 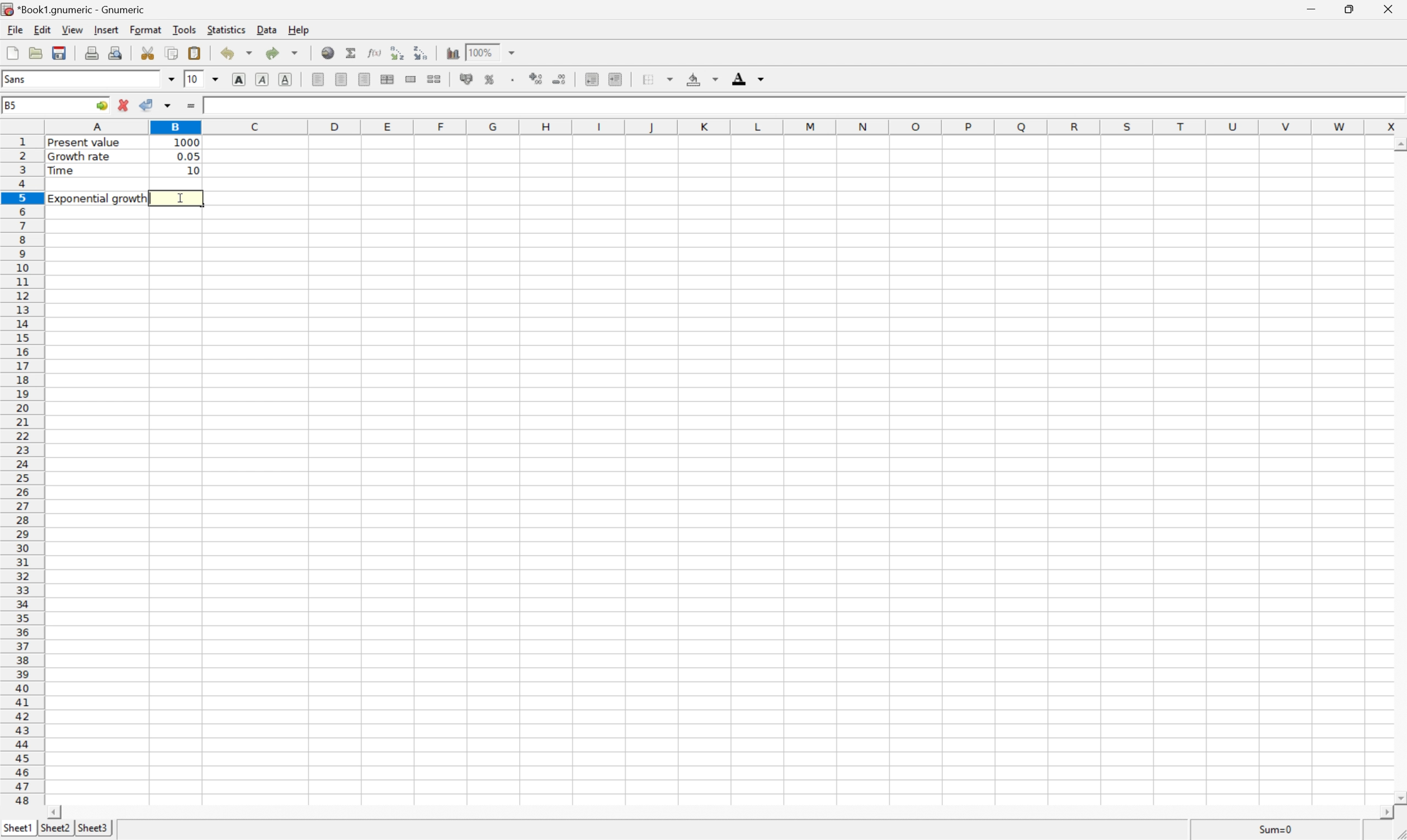 What do you see at coordinates (117, 53) in the screenshot?
I see `Print preview` at bounding box center [117, 53].